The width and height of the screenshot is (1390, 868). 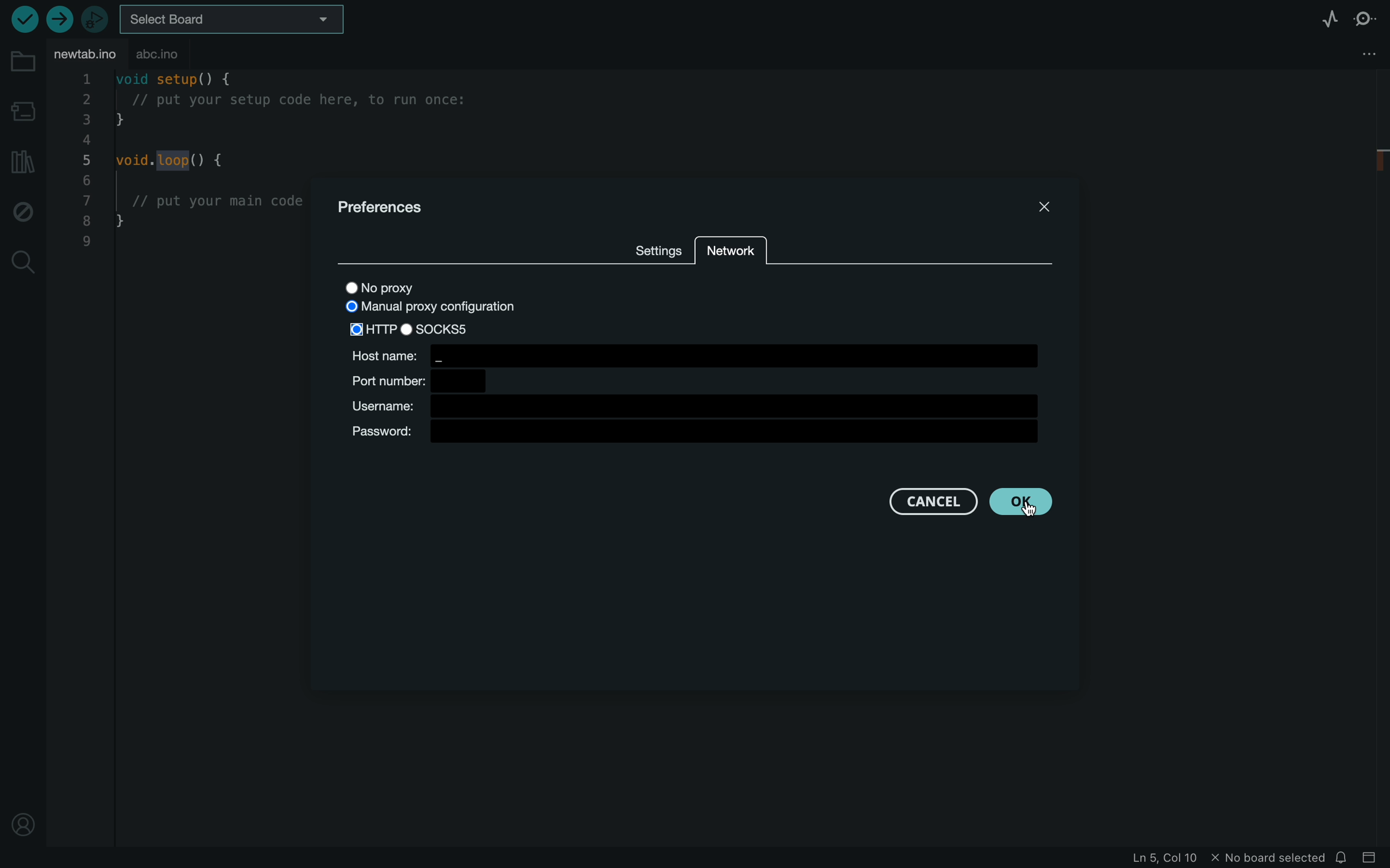 What do you see at coordinates (370, 330) in the screenshot?
I see `selected` at bounding box center [370, 330].